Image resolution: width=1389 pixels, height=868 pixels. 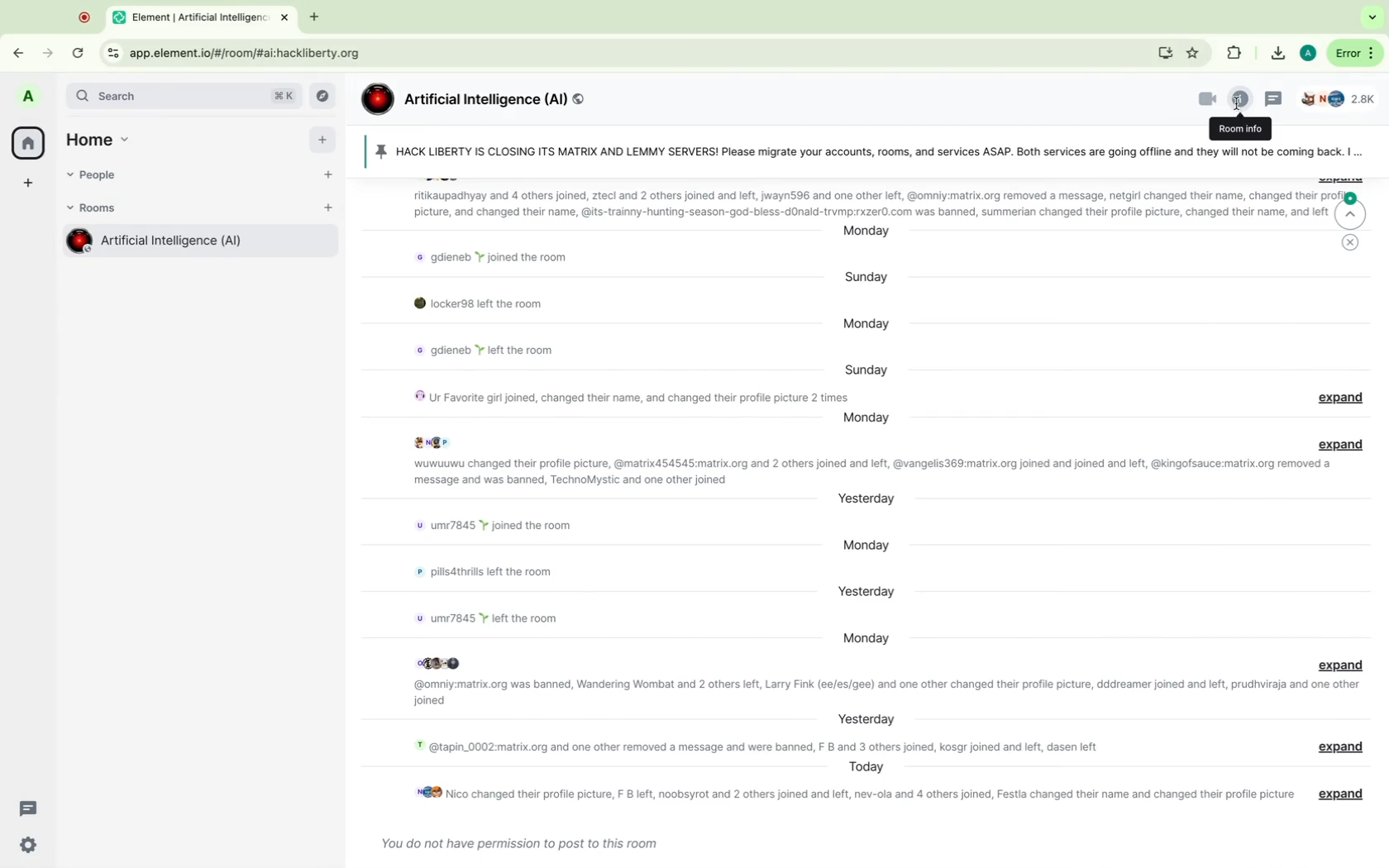 What do you see at coordinates (432, 444) in the screenshot?
I see `profile pictures` at bounding box center [432, 444].